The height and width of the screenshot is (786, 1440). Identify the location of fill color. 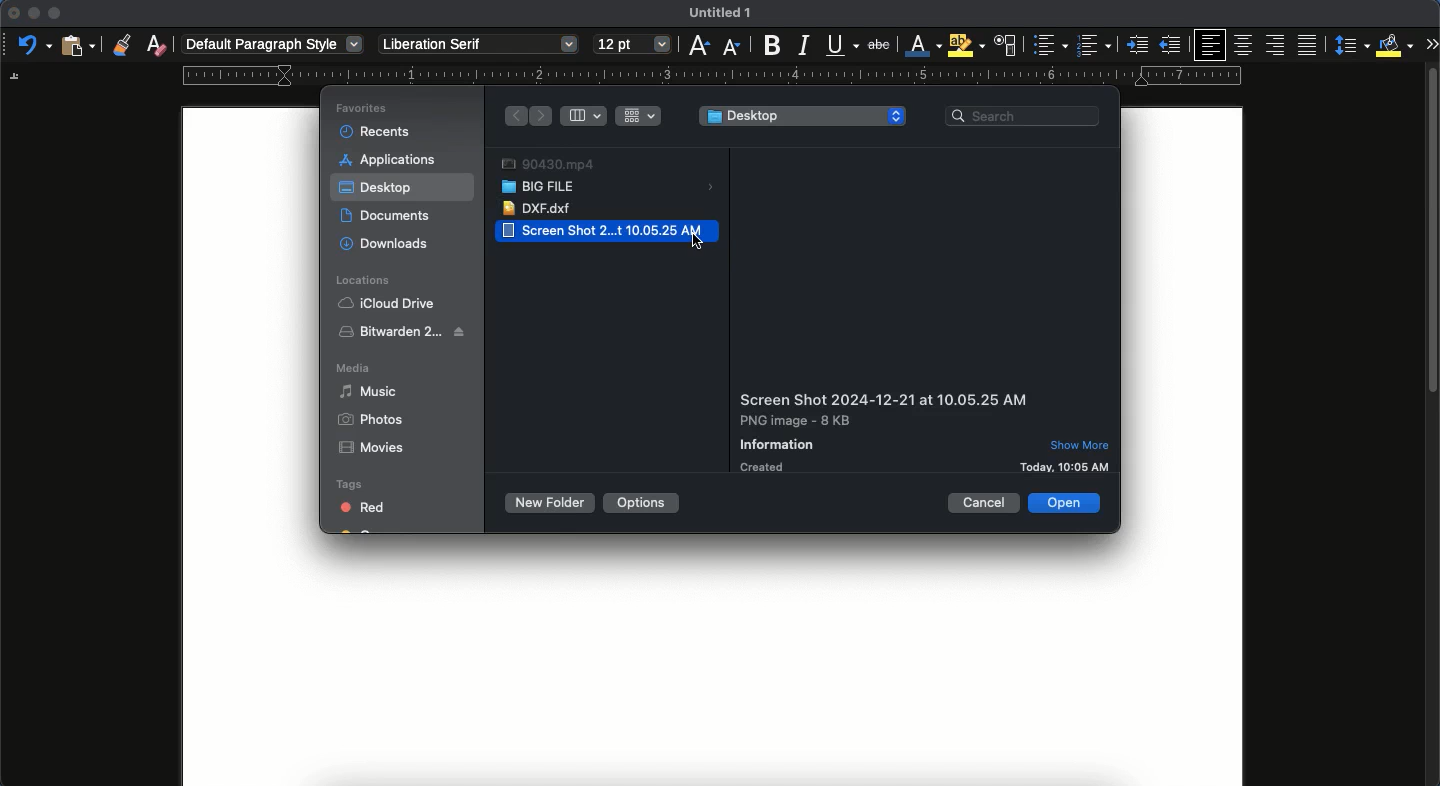
(1390, 46).